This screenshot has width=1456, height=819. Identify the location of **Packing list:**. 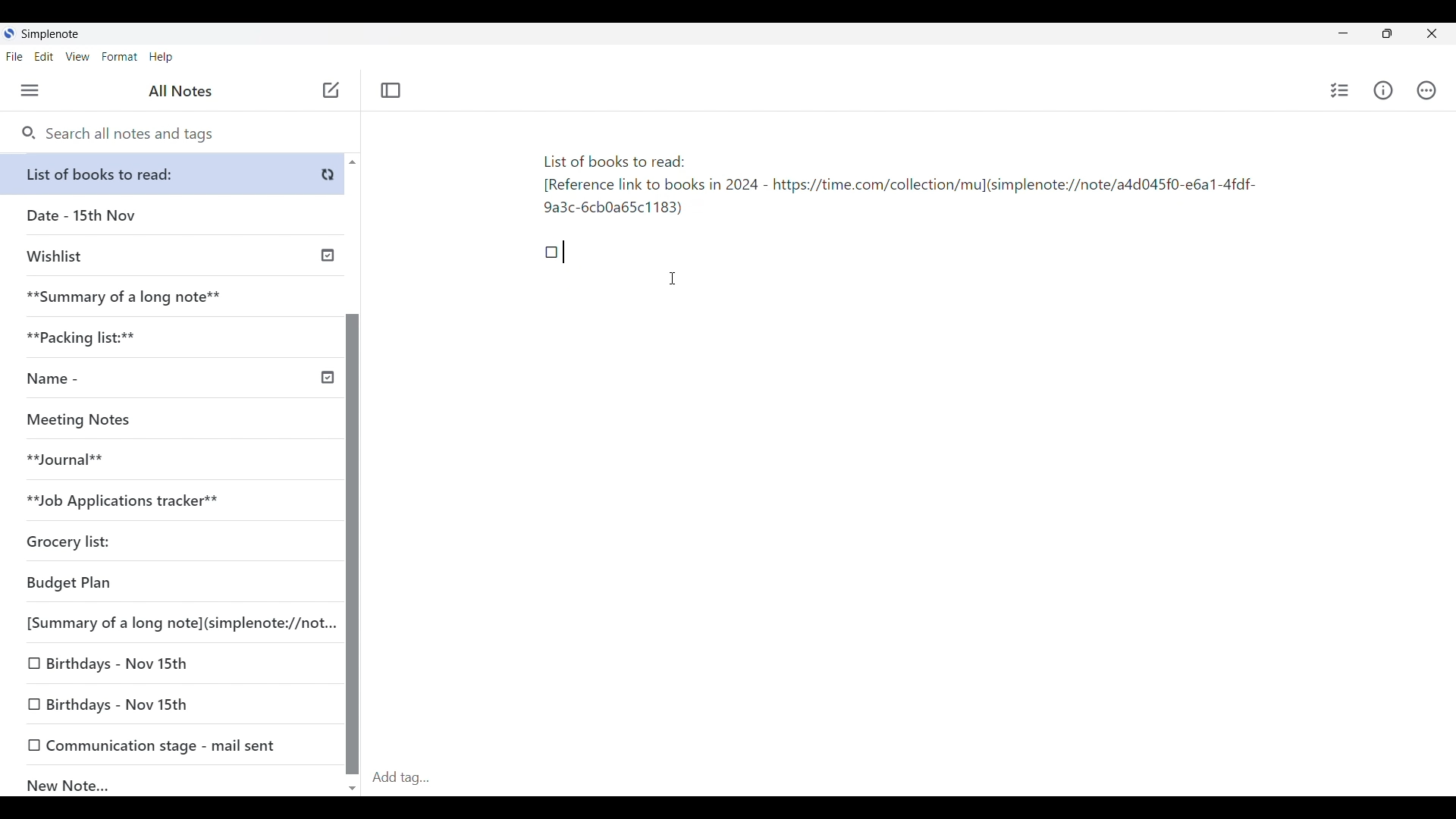
(174, 337).